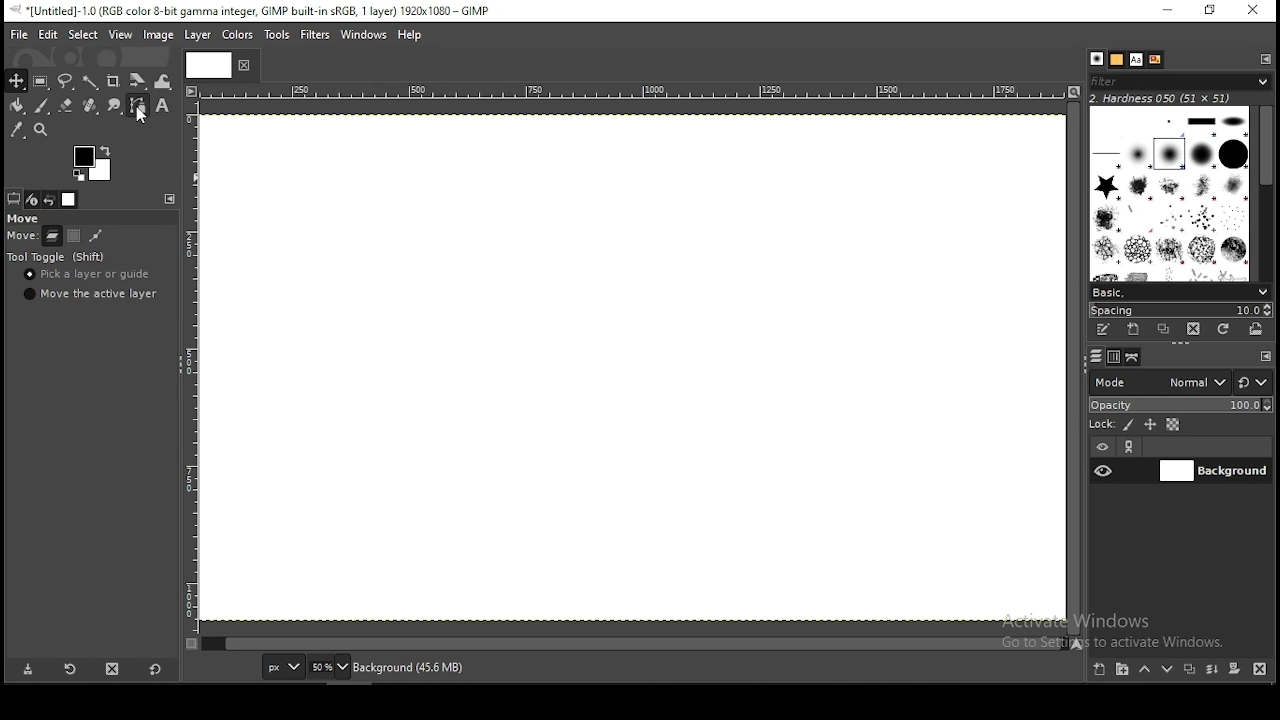  I want to click on help, so click(412, 33).